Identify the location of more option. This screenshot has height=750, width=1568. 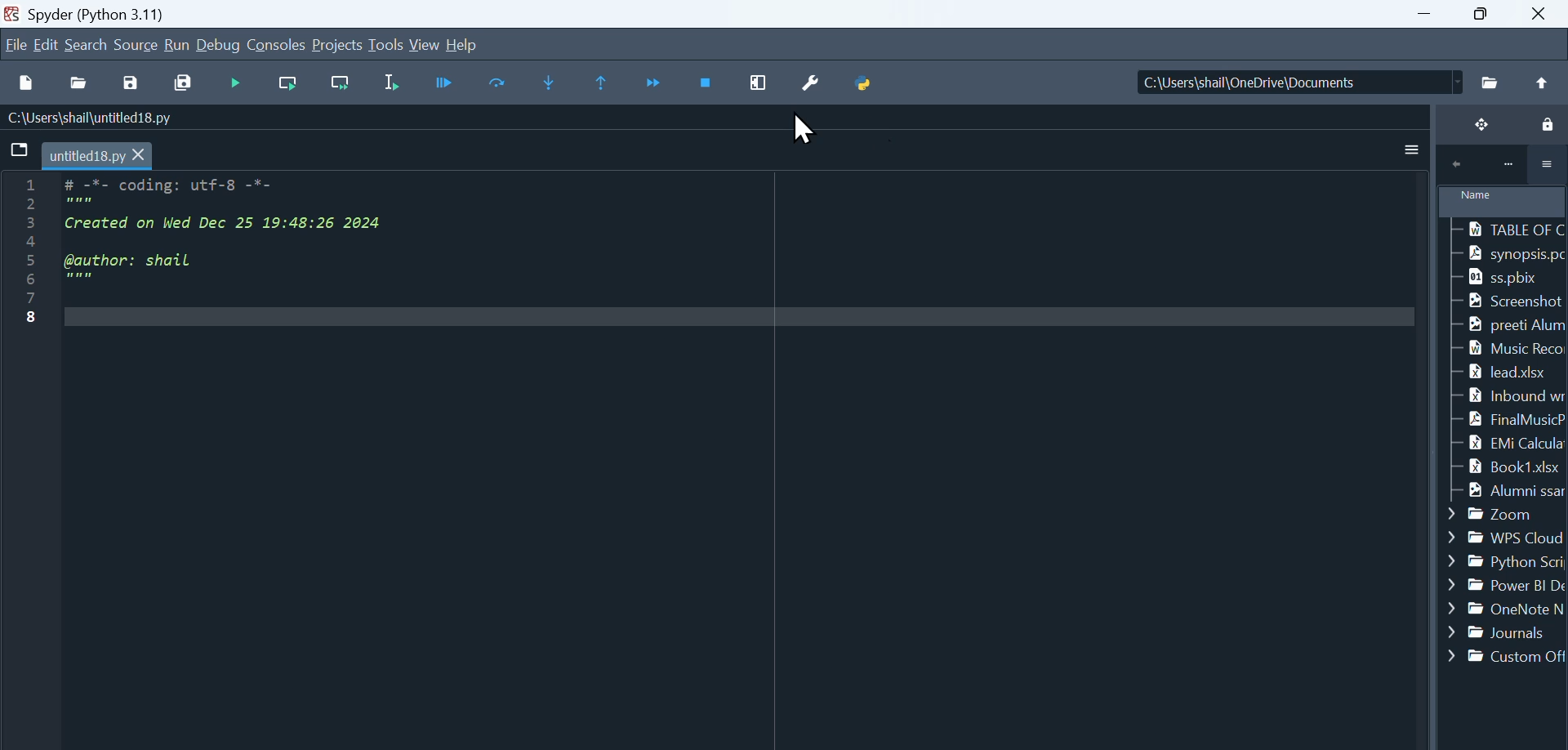
(1405, 154).